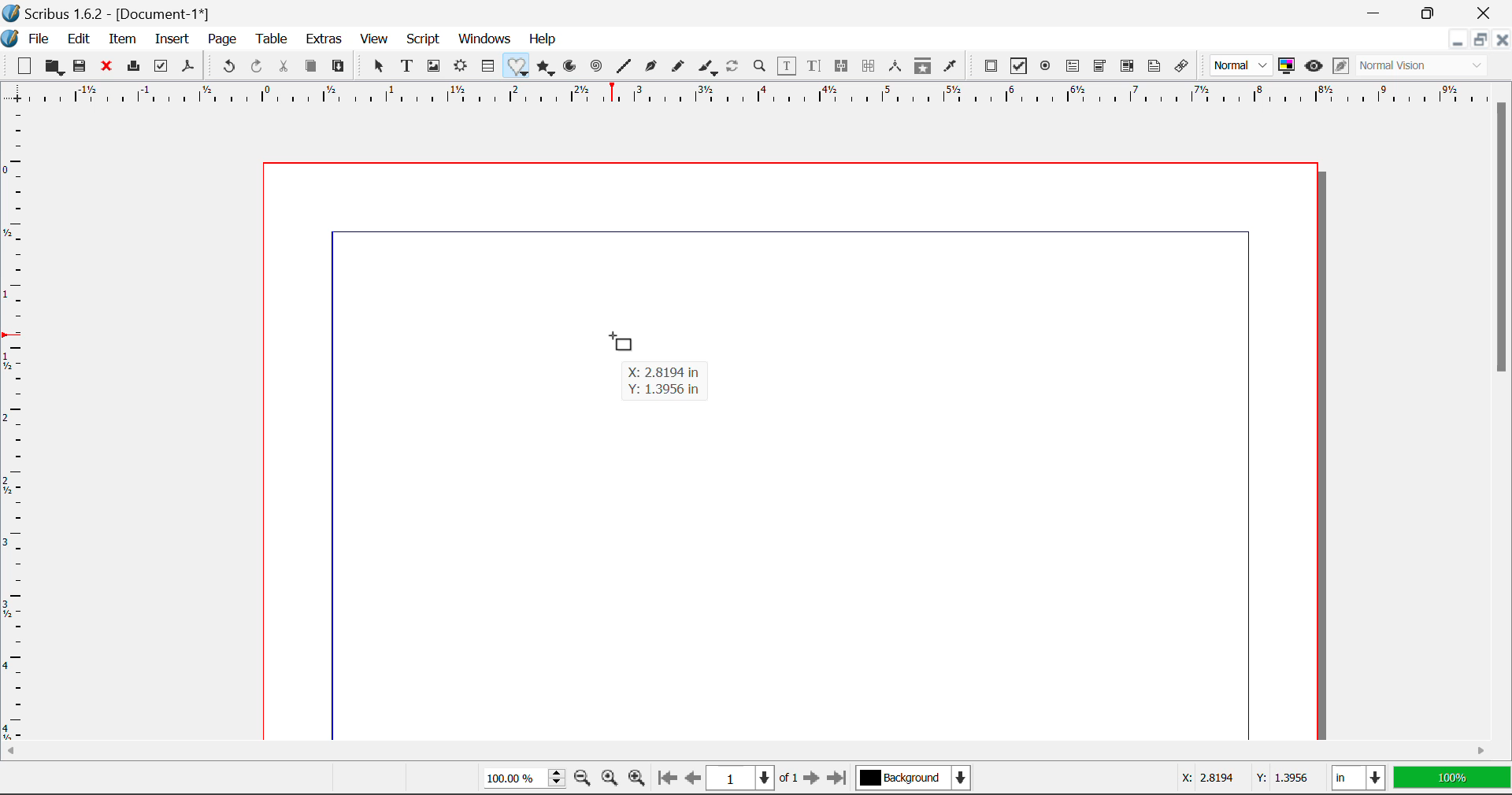 The height and width of the screenshot is (795, 1512). I want to click on Print, so click(136, 67).